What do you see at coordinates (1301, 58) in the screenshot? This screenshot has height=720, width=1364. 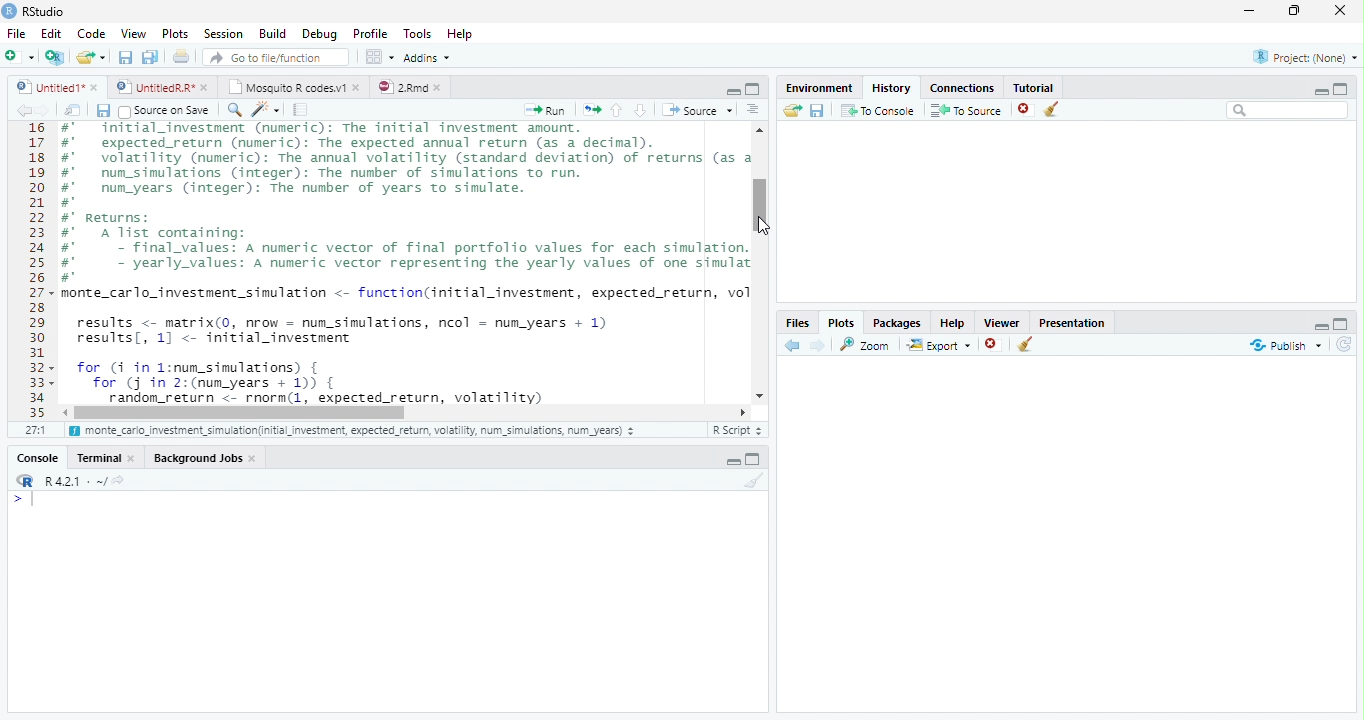 I see `Project: (None)` at bounding box center [1301, 58].